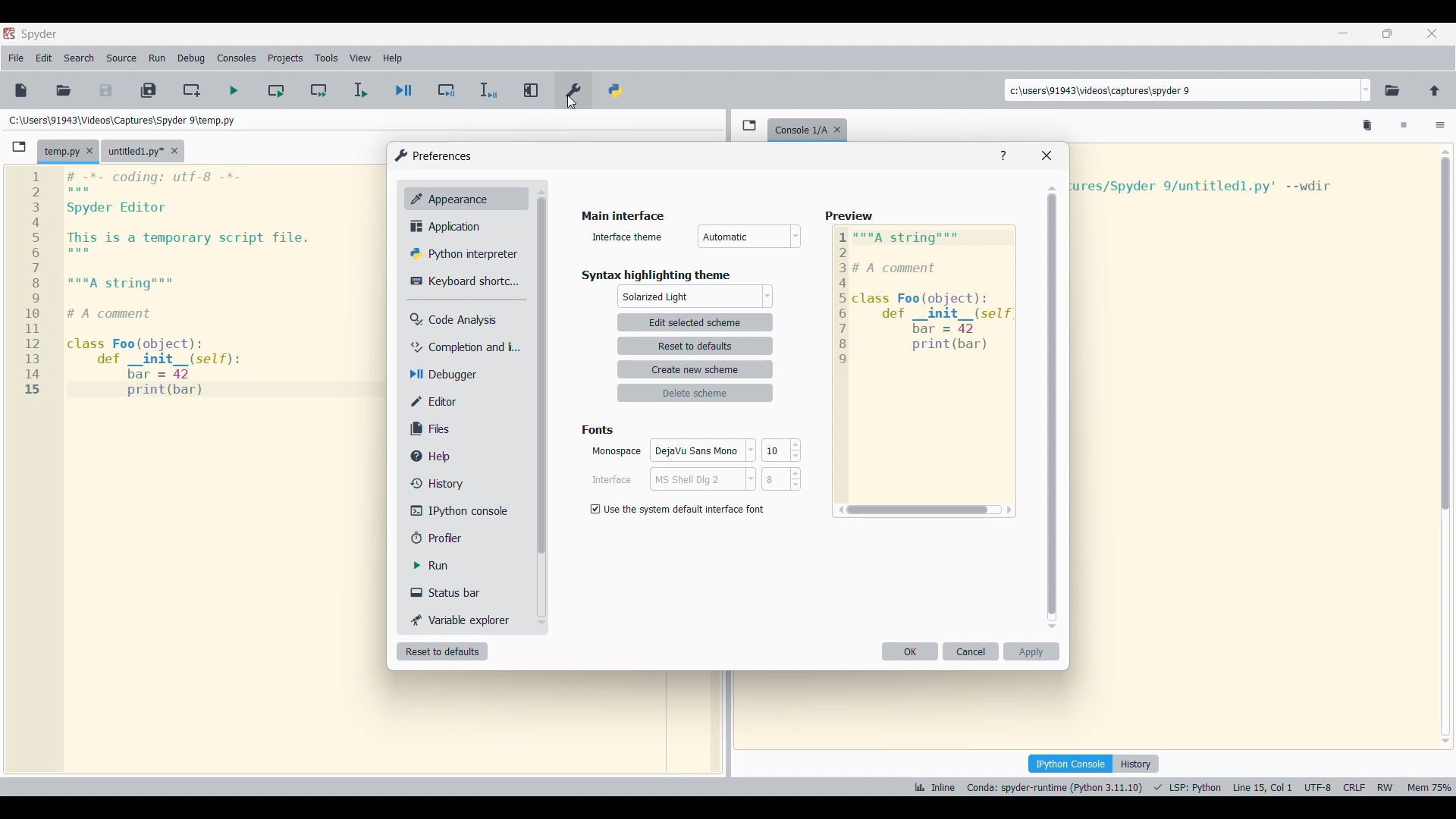 This screenshot has height=819, width=1456. I want to click on Close, so click(1047, 155).